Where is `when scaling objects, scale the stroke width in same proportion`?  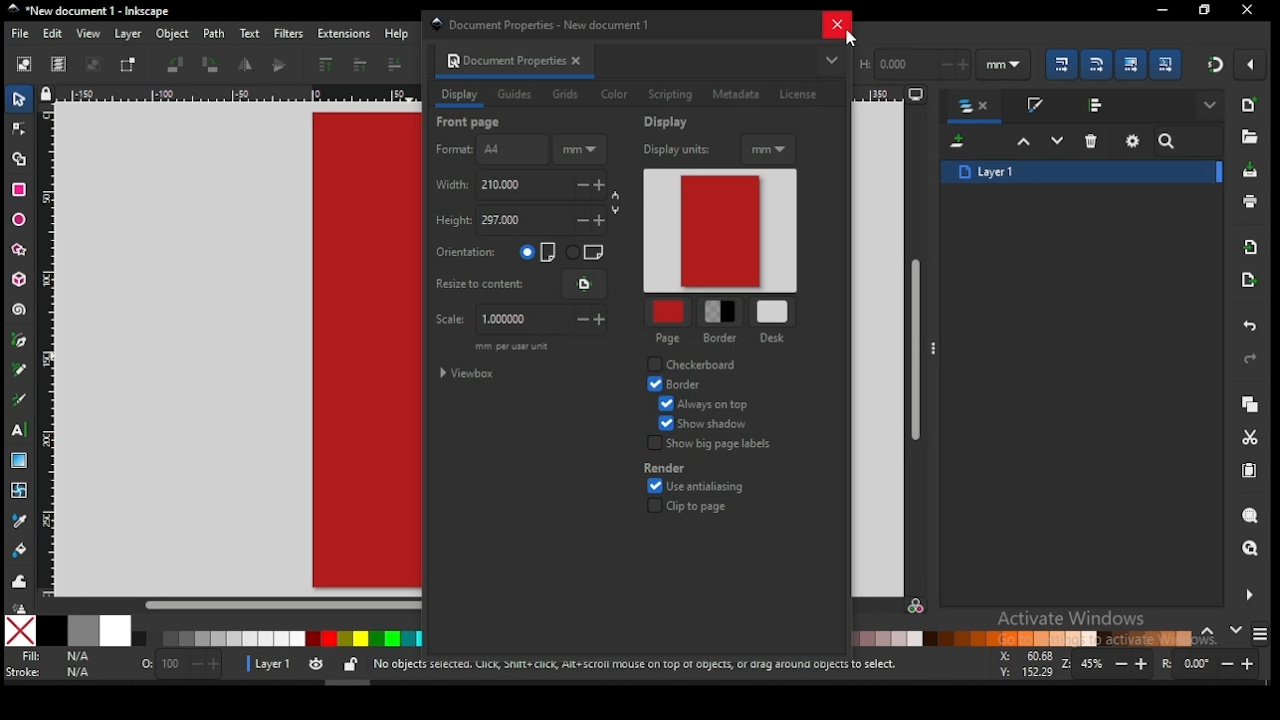 when scaling objects, scale the stroke width in same proportion is located at coordinates (1058, 64).